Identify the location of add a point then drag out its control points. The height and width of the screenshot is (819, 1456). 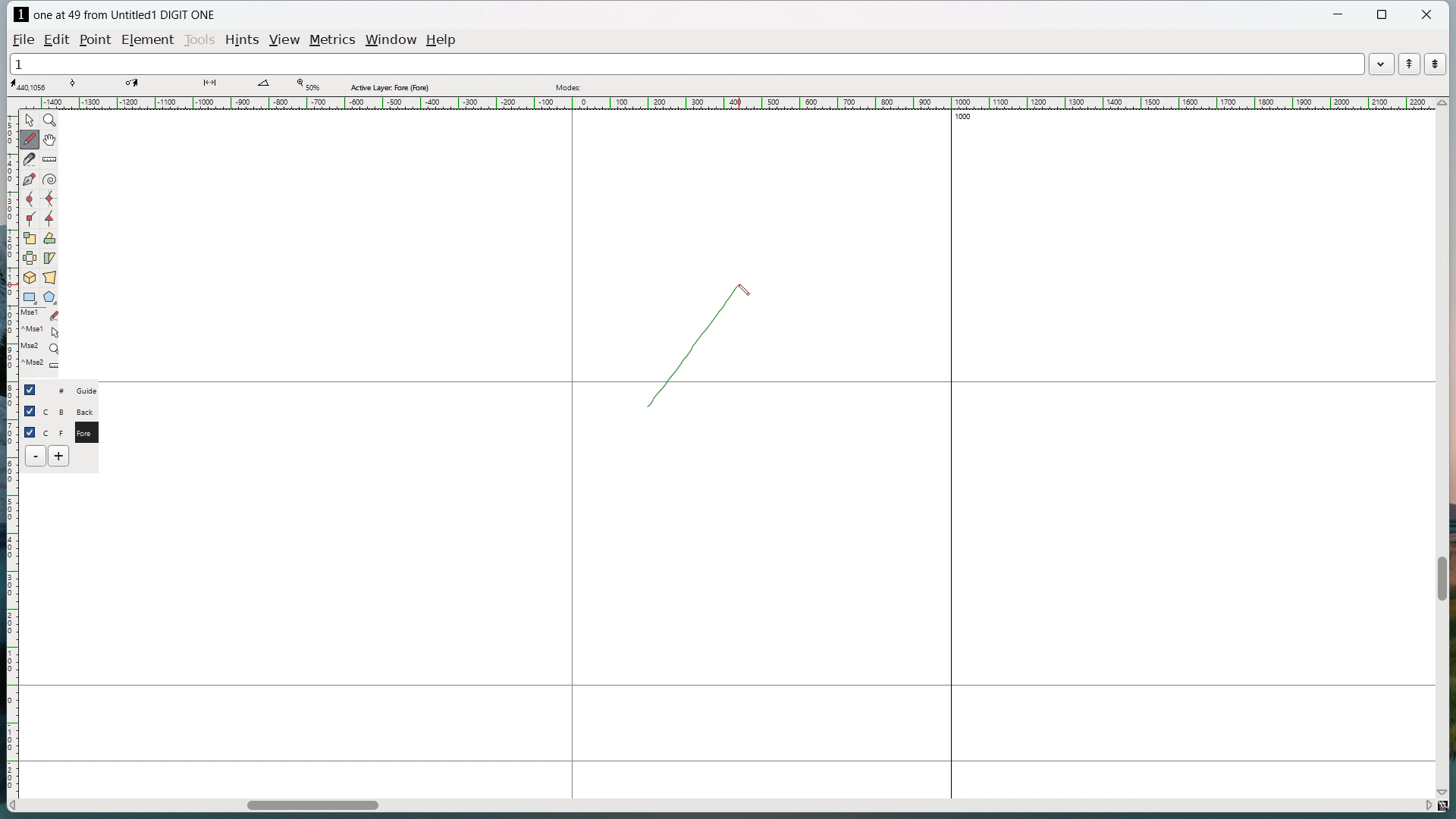
(30, 179).